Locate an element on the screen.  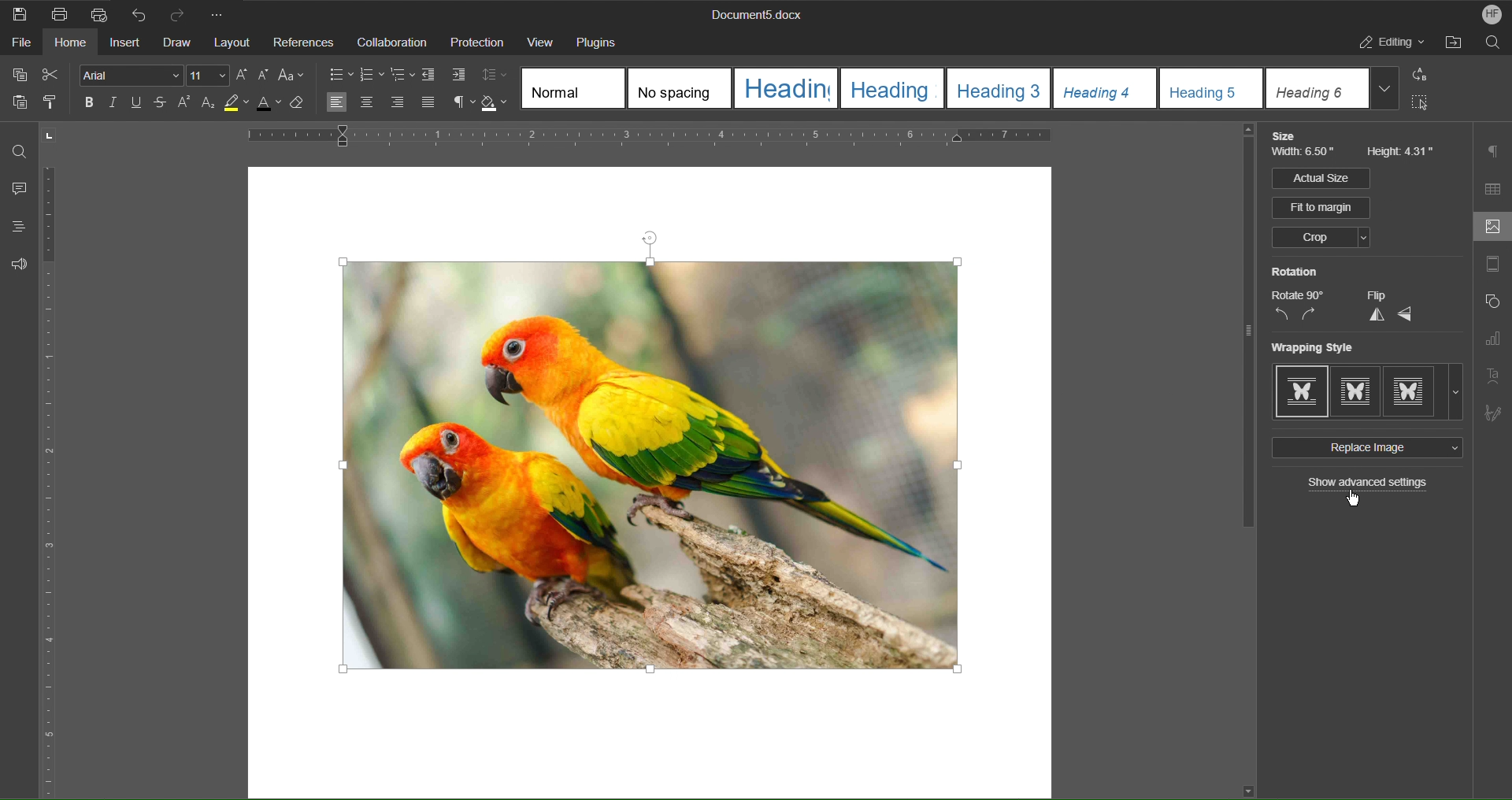
Open File Location is located at coordinates (1456, 45).